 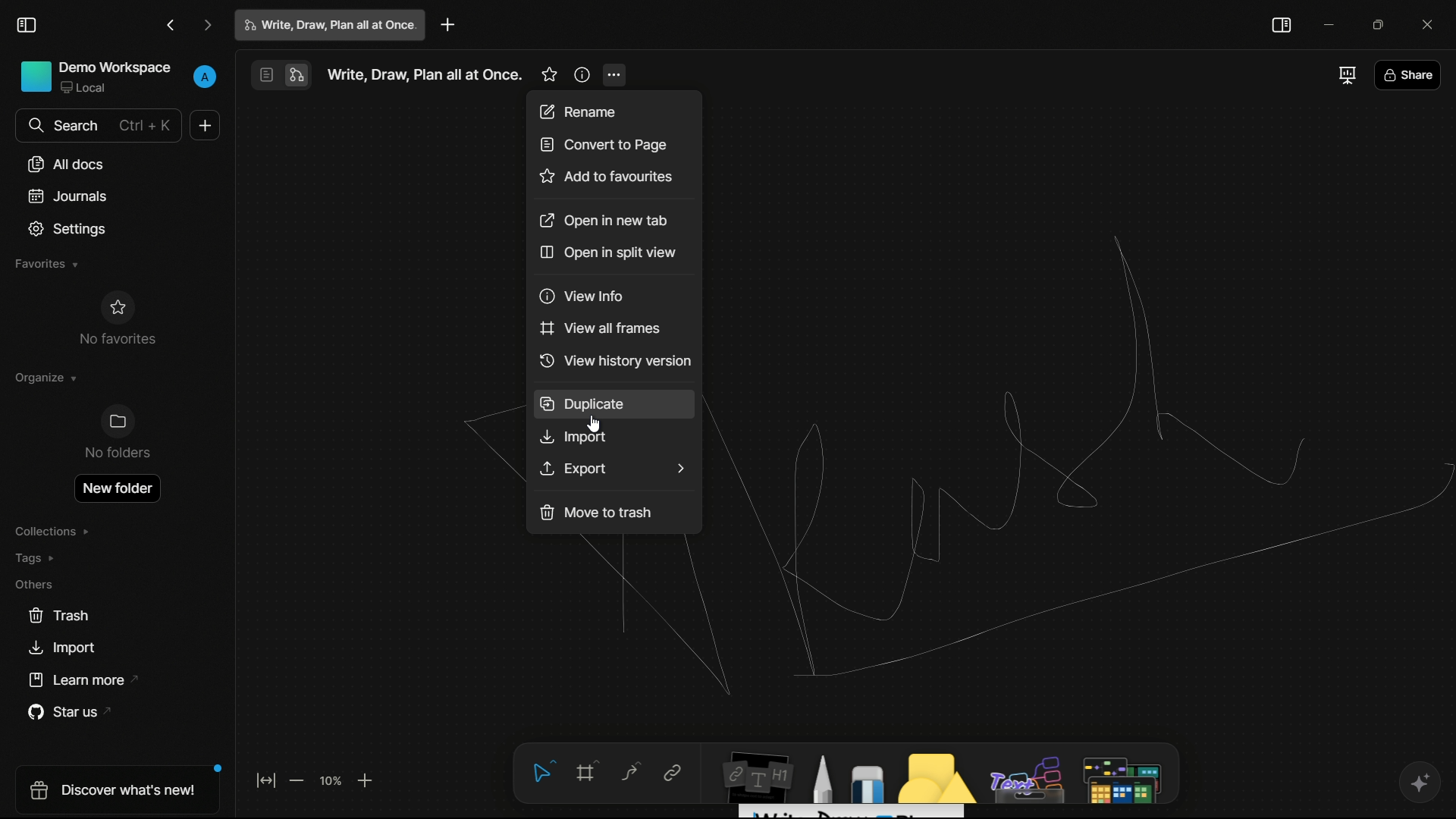 What do you see at coordinates (582, 76) in the screenshot?
I see `more information` at bounding box center [582, 76].